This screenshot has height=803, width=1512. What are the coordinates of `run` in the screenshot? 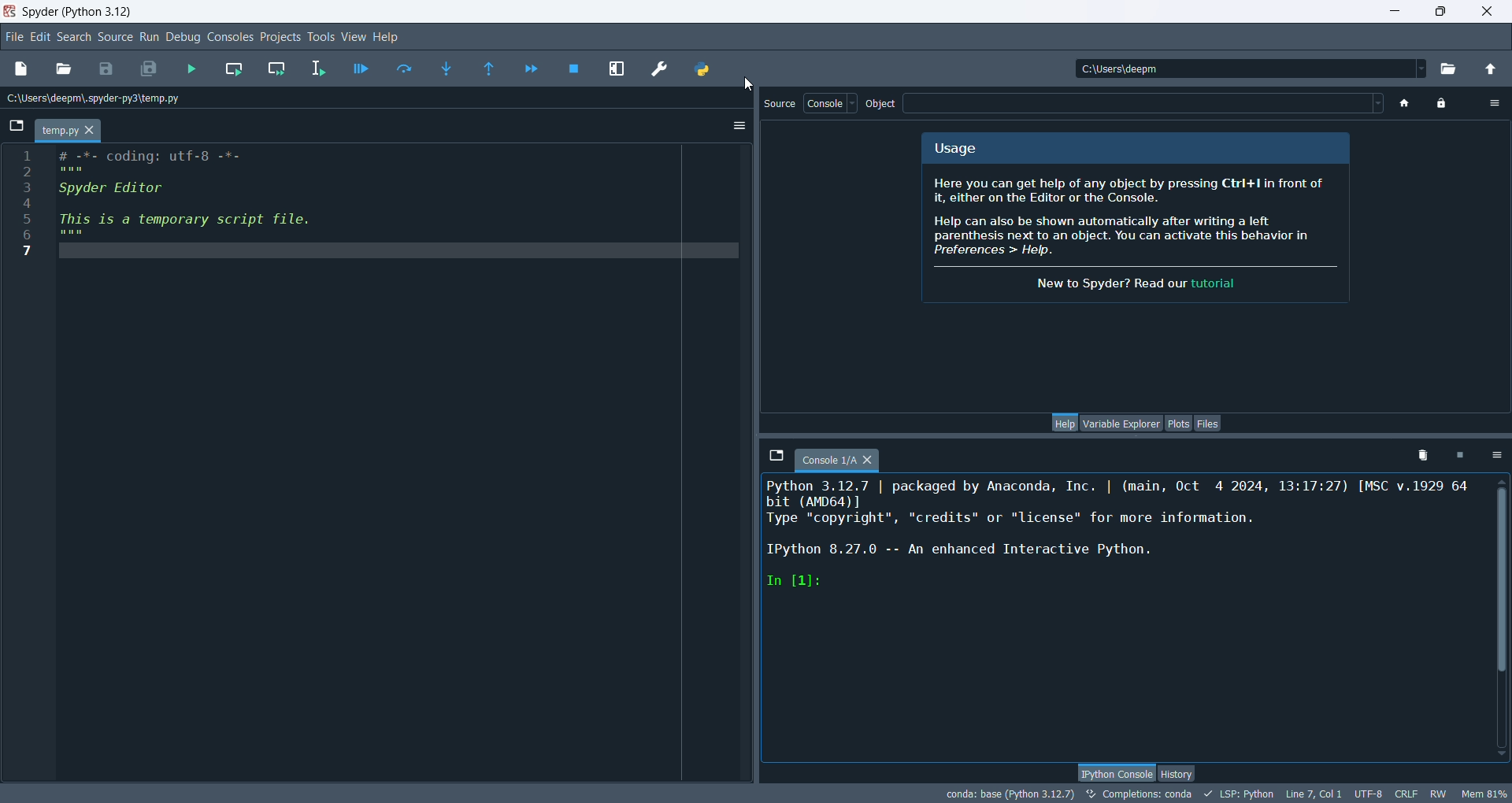 It's located at (150, 39).